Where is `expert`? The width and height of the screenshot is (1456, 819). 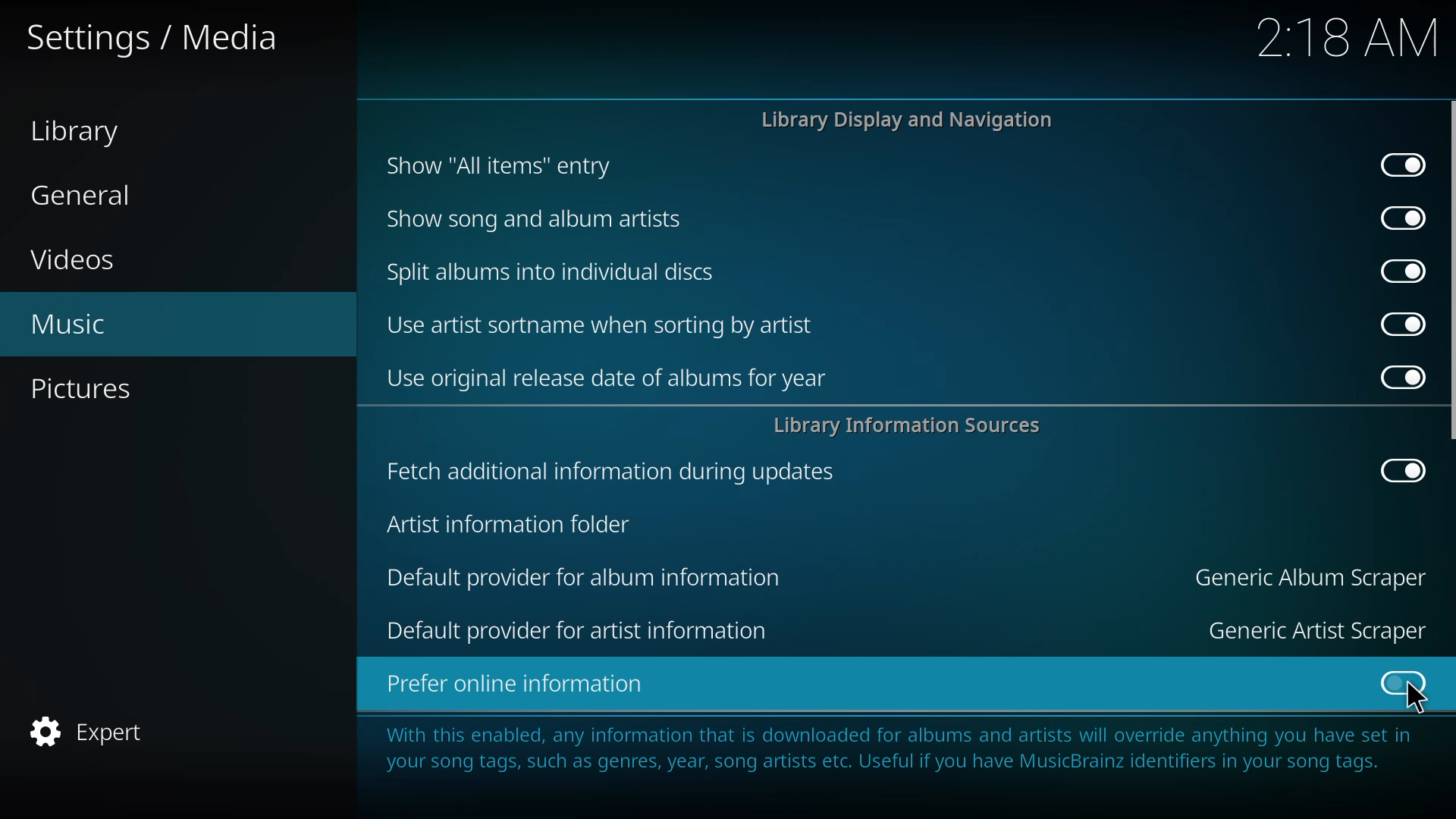
expert is located at coordinates (88, 731).